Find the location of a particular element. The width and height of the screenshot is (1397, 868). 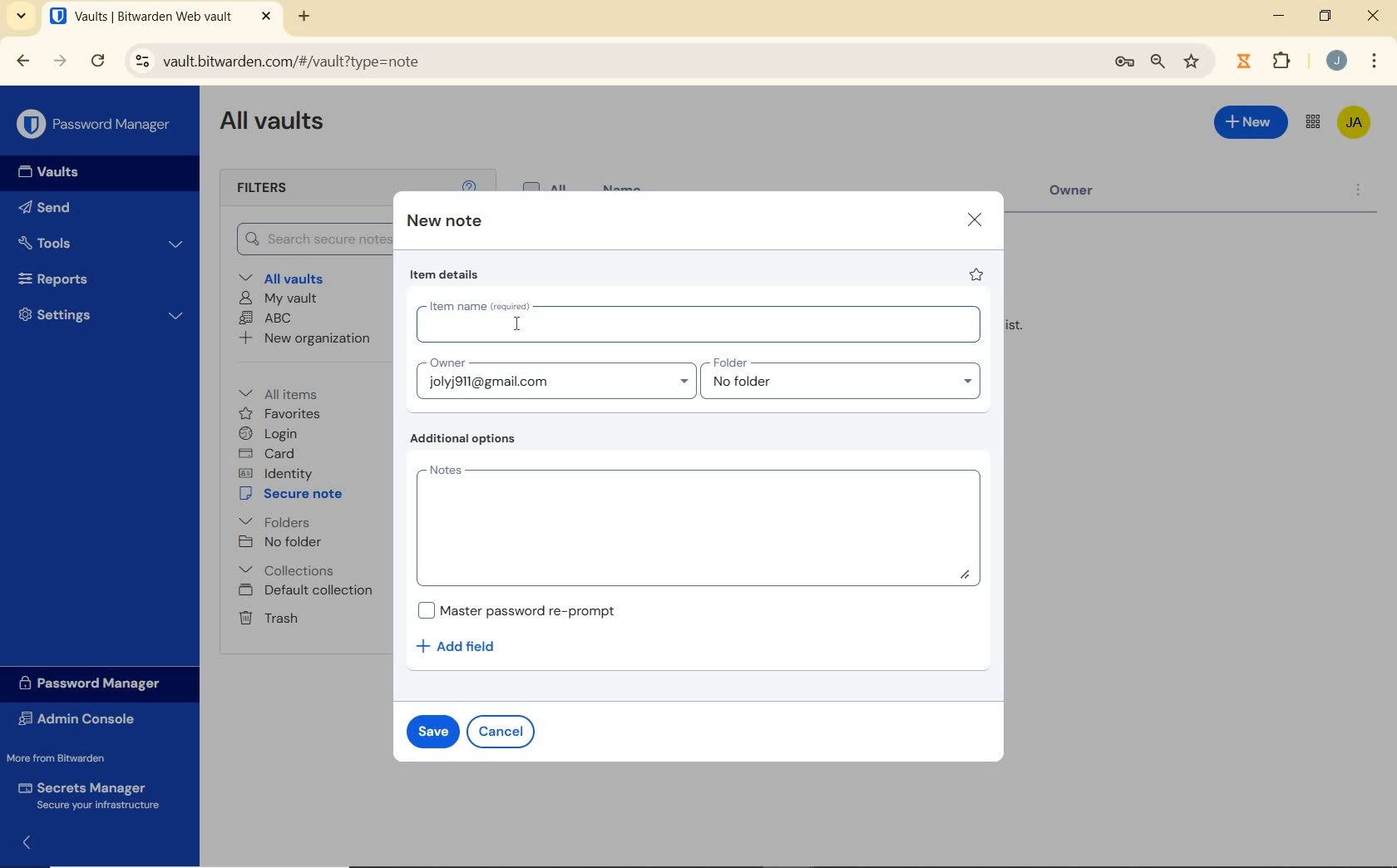

Owner is located at coordinates (1085, 195).